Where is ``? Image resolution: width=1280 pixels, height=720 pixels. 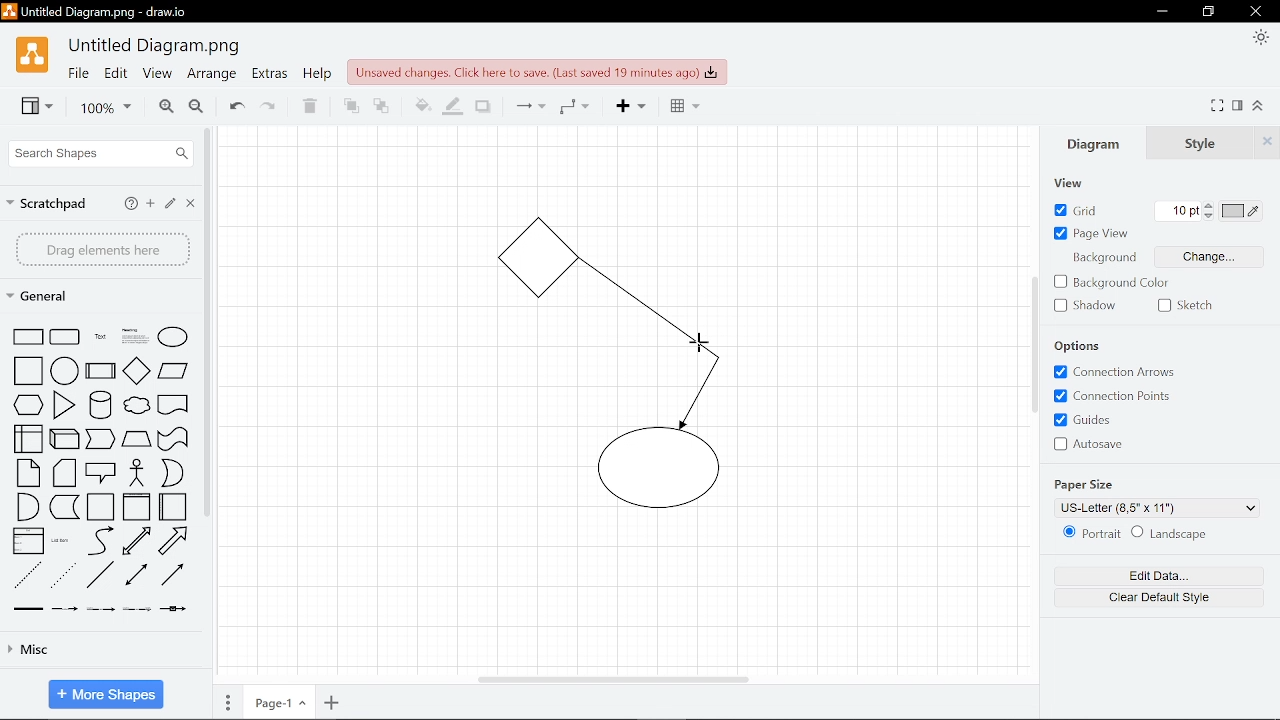
 is located at coordinates (1209, 216).